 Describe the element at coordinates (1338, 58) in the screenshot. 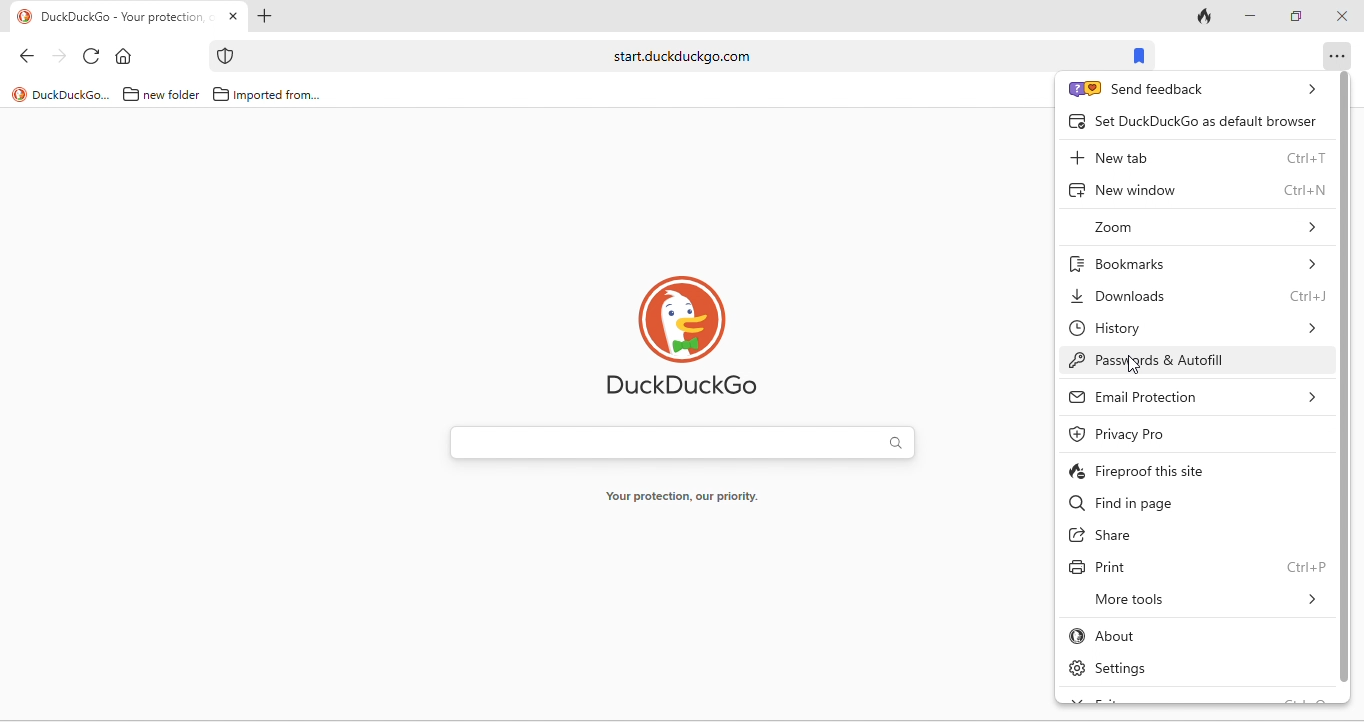

I see `option` at that location.